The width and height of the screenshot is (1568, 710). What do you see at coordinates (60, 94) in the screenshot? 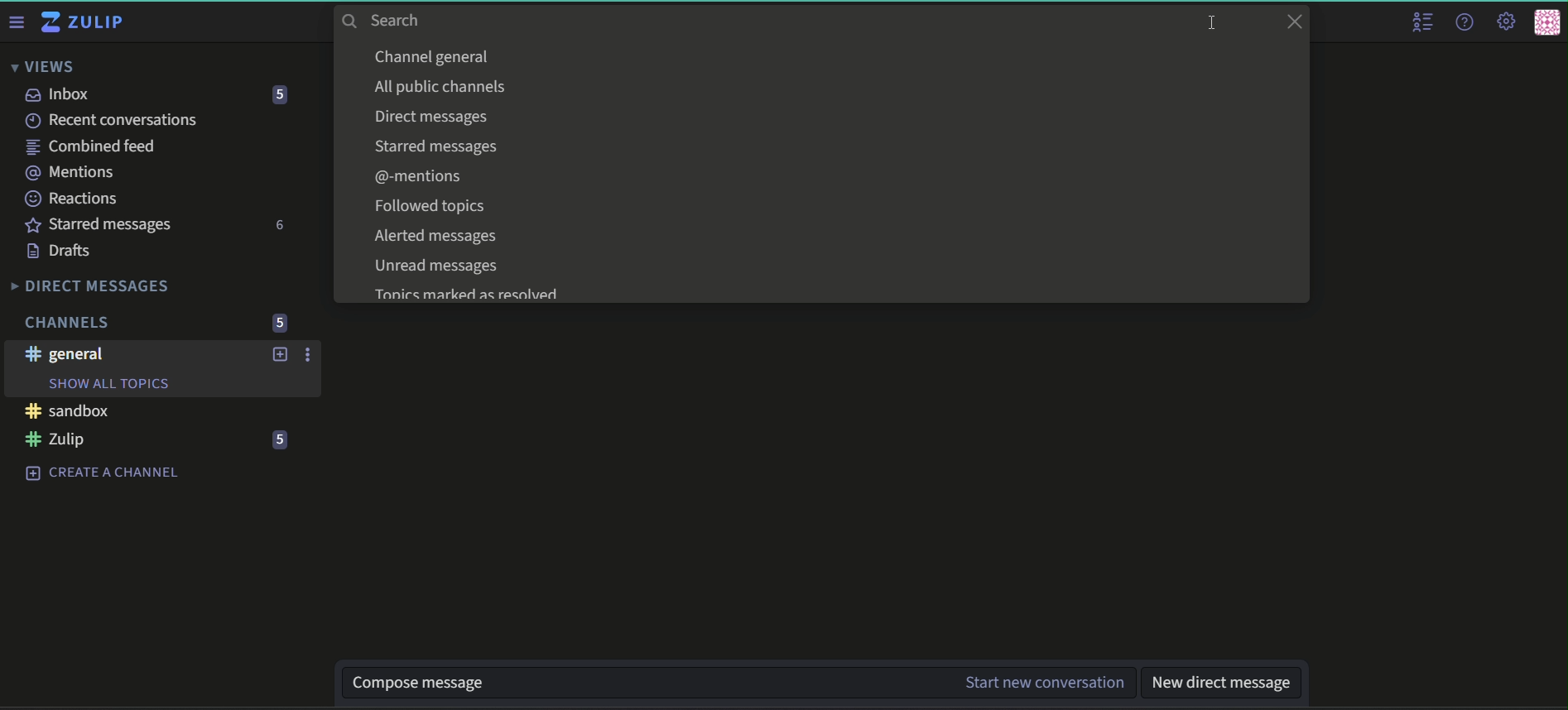
I see `inbox` at bounding box center [60, 94].